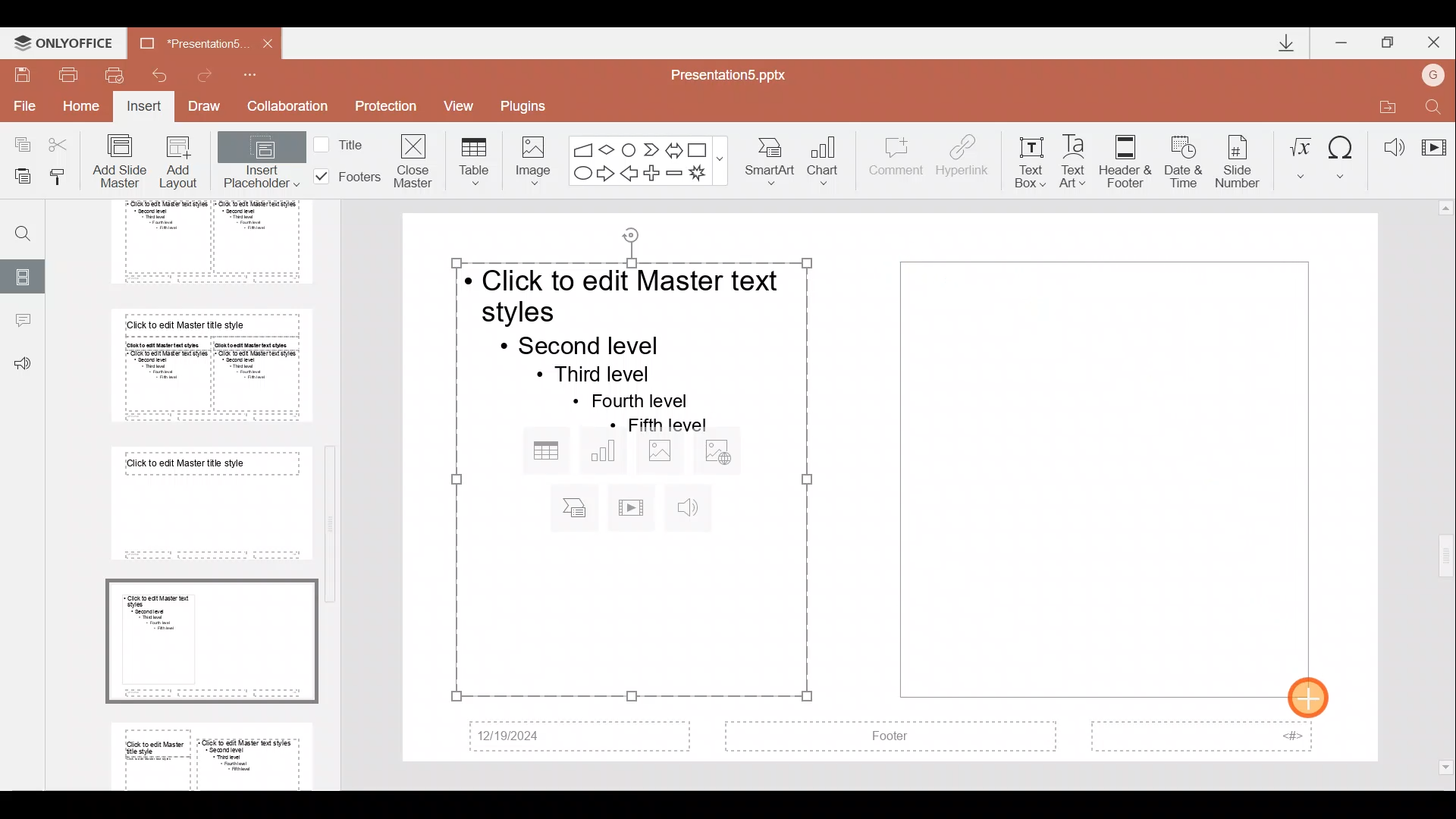 Image resolution: width=1456 pixels, height=819 pixels. Describe the element at coordinates (1077, 157) in the screenshot. I see `Text Art` at that location.